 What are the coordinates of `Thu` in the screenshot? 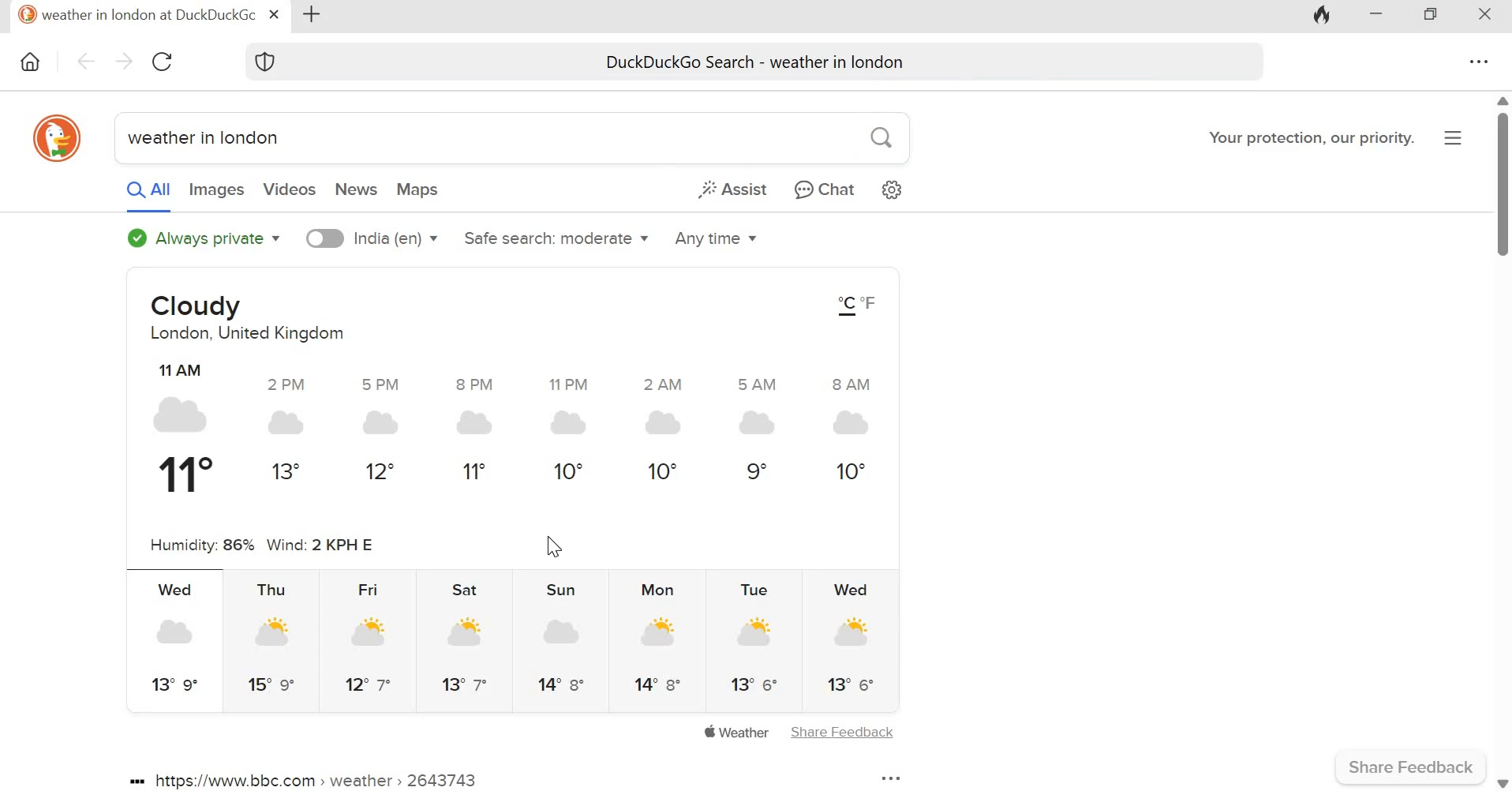 It's located at (271, 590).